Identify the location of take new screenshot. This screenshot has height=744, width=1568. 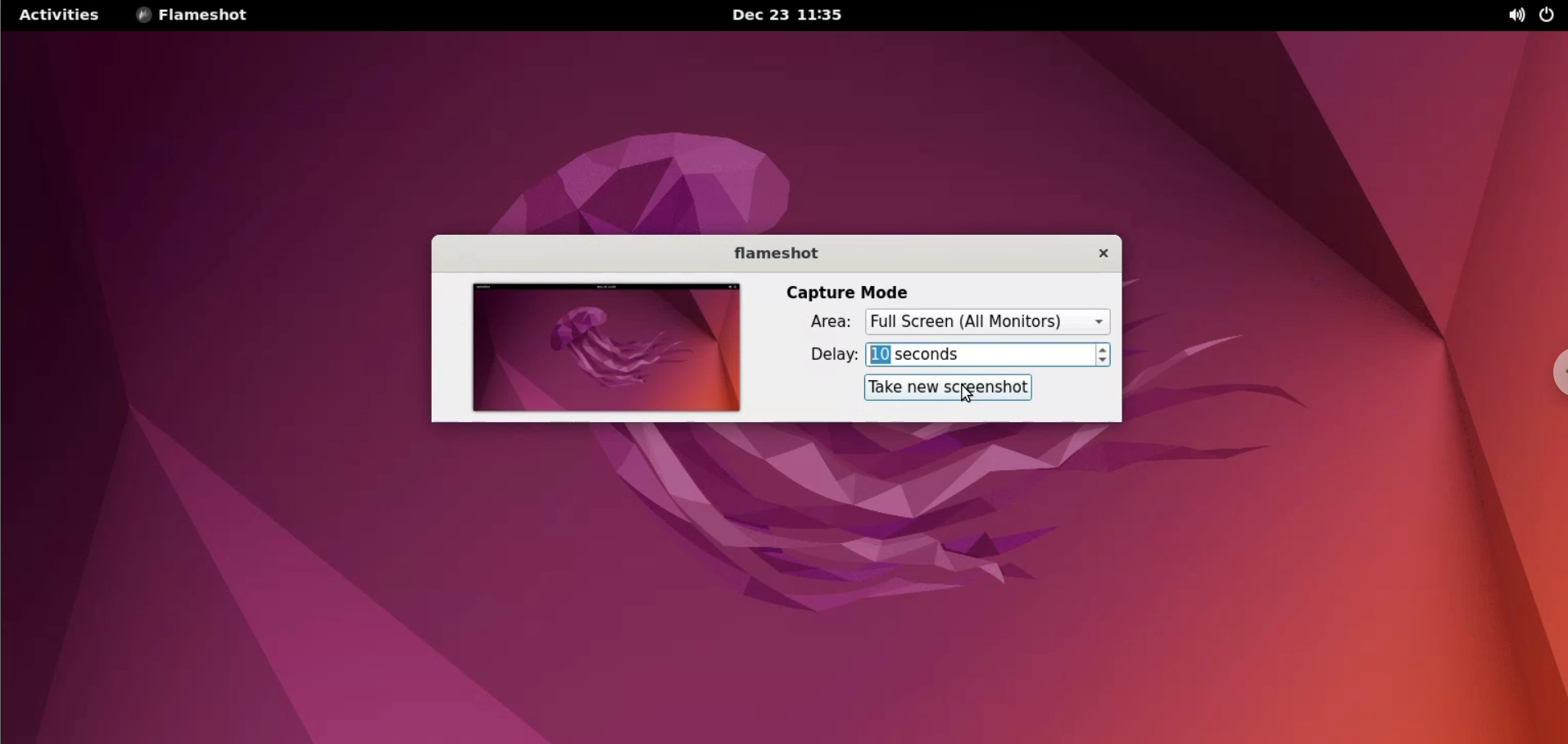
(951, 387).